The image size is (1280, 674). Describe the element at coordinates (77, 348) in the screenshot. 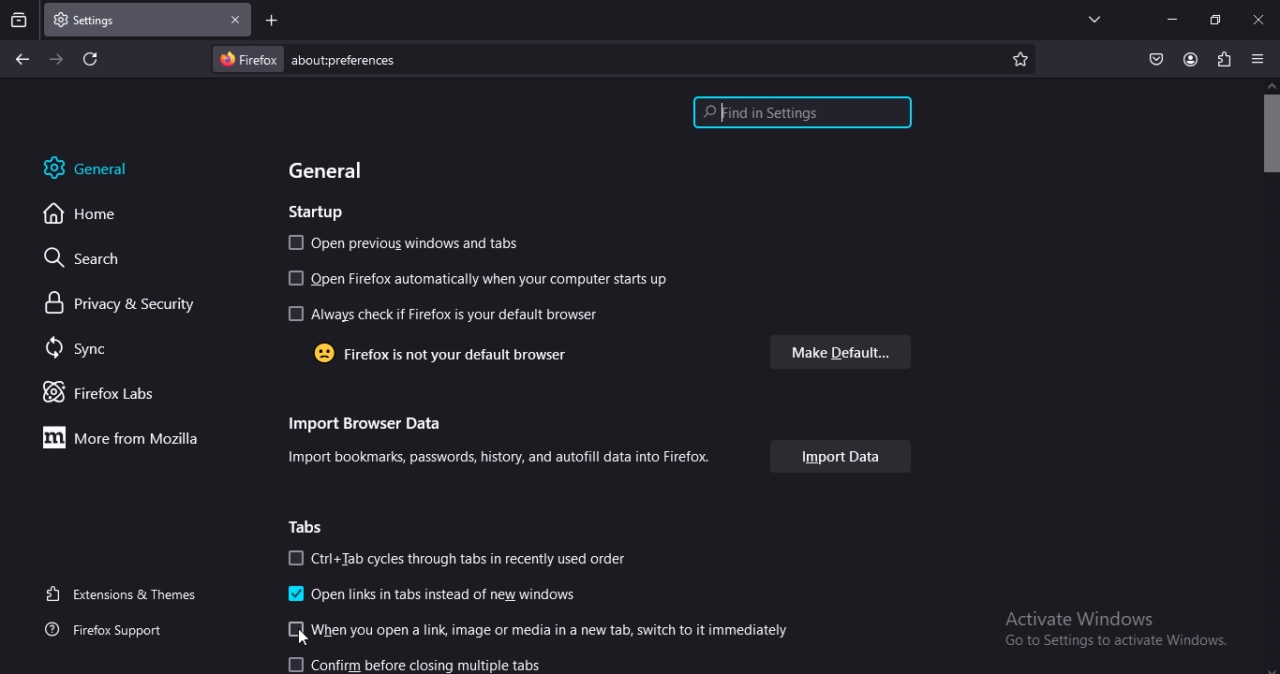

I see `sync` at that location.